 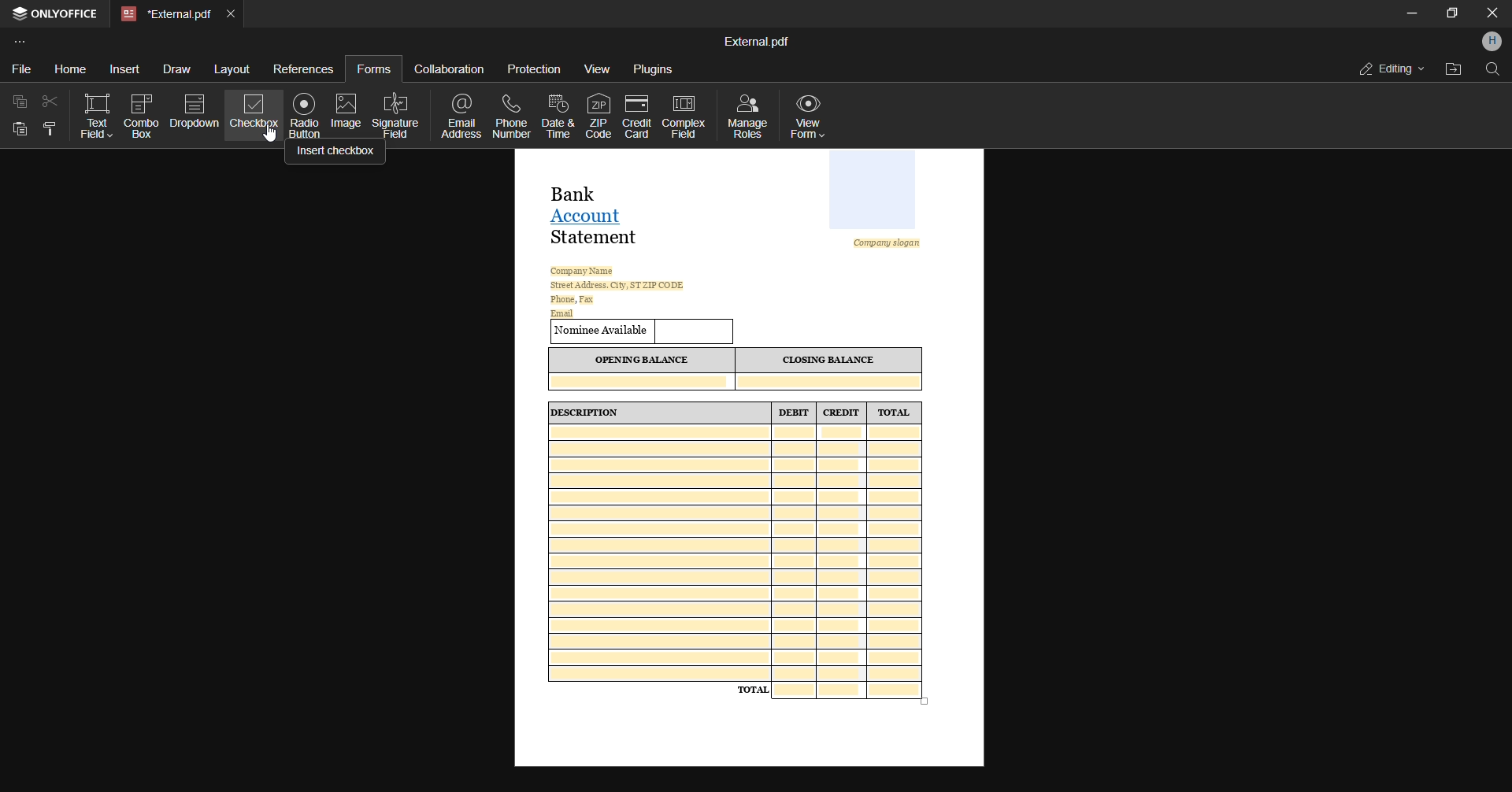 What do you see at coordinates (18, 129) in the screenshot?
I see `paste` at bounding box center [18, 129].